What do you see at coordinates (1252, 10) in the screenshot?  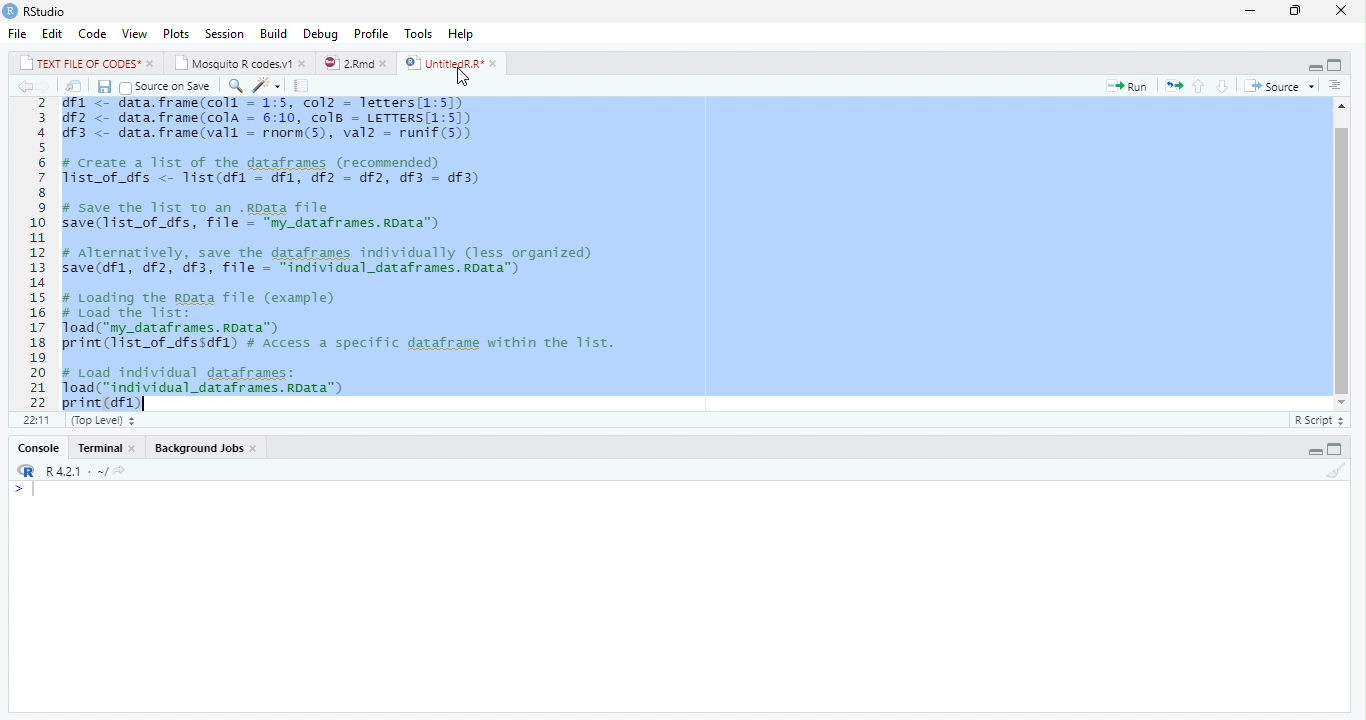 I see `Minimize` at bounding box center [1252, 10].